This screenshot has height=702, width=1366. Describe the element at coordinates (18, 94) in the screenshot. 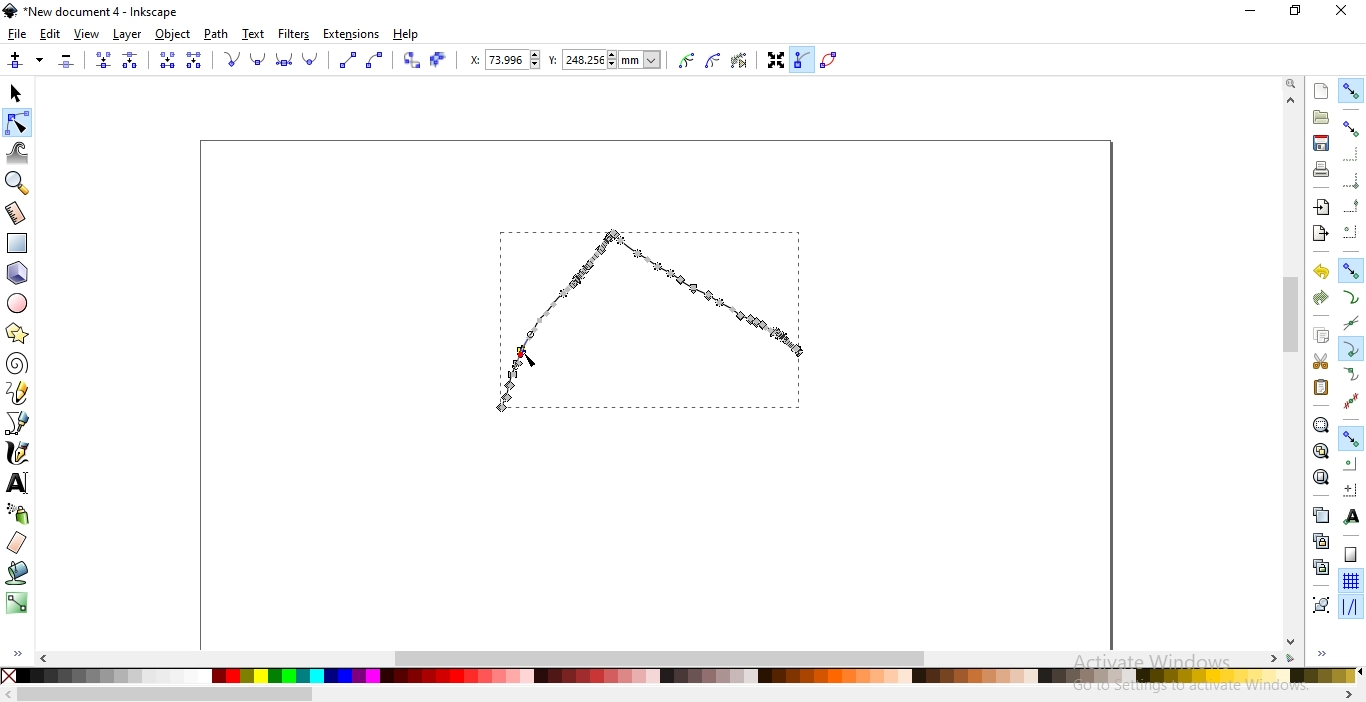

I see `select and transform objects` at that location.